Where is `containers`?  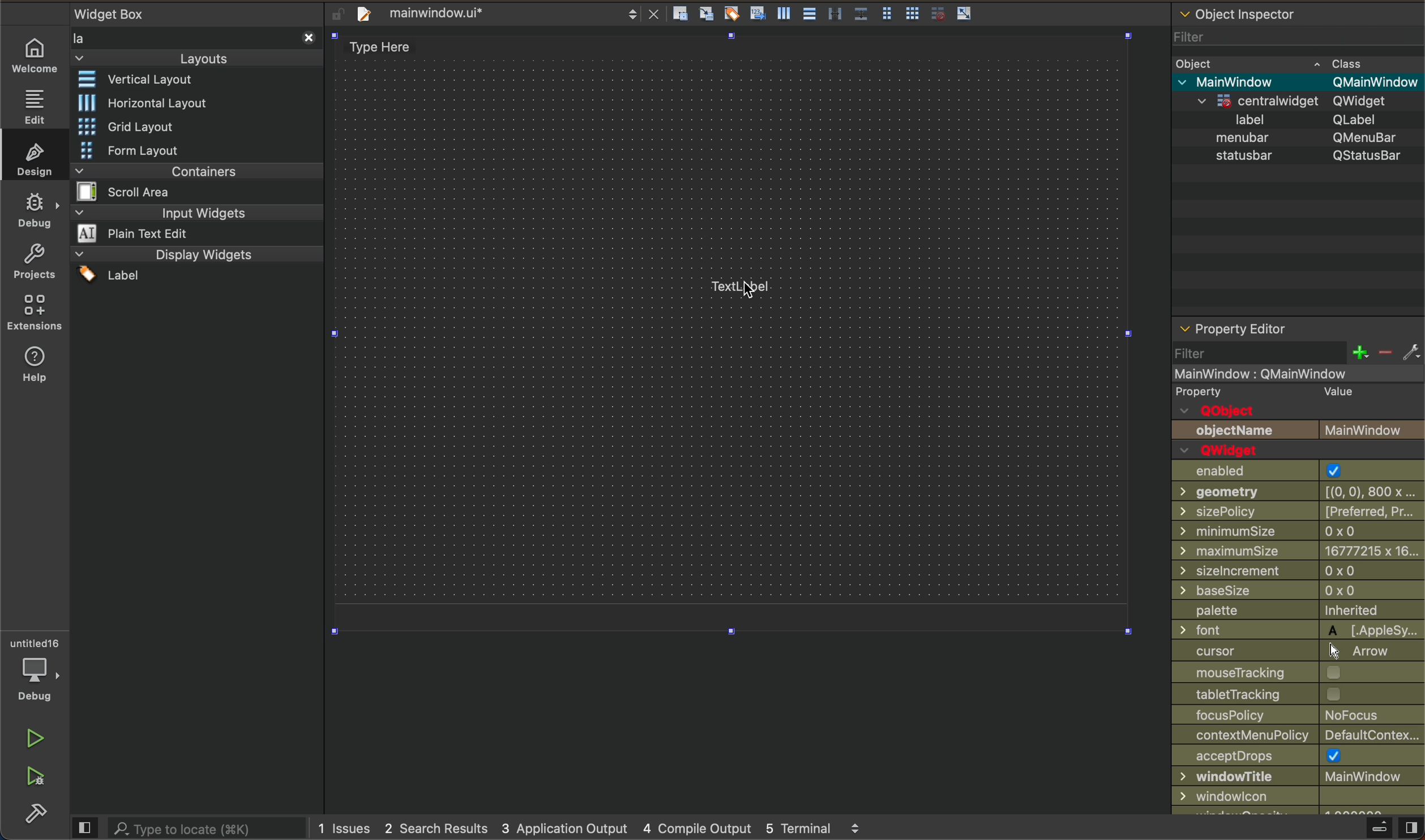
containers is located at coordinates (187, 170).